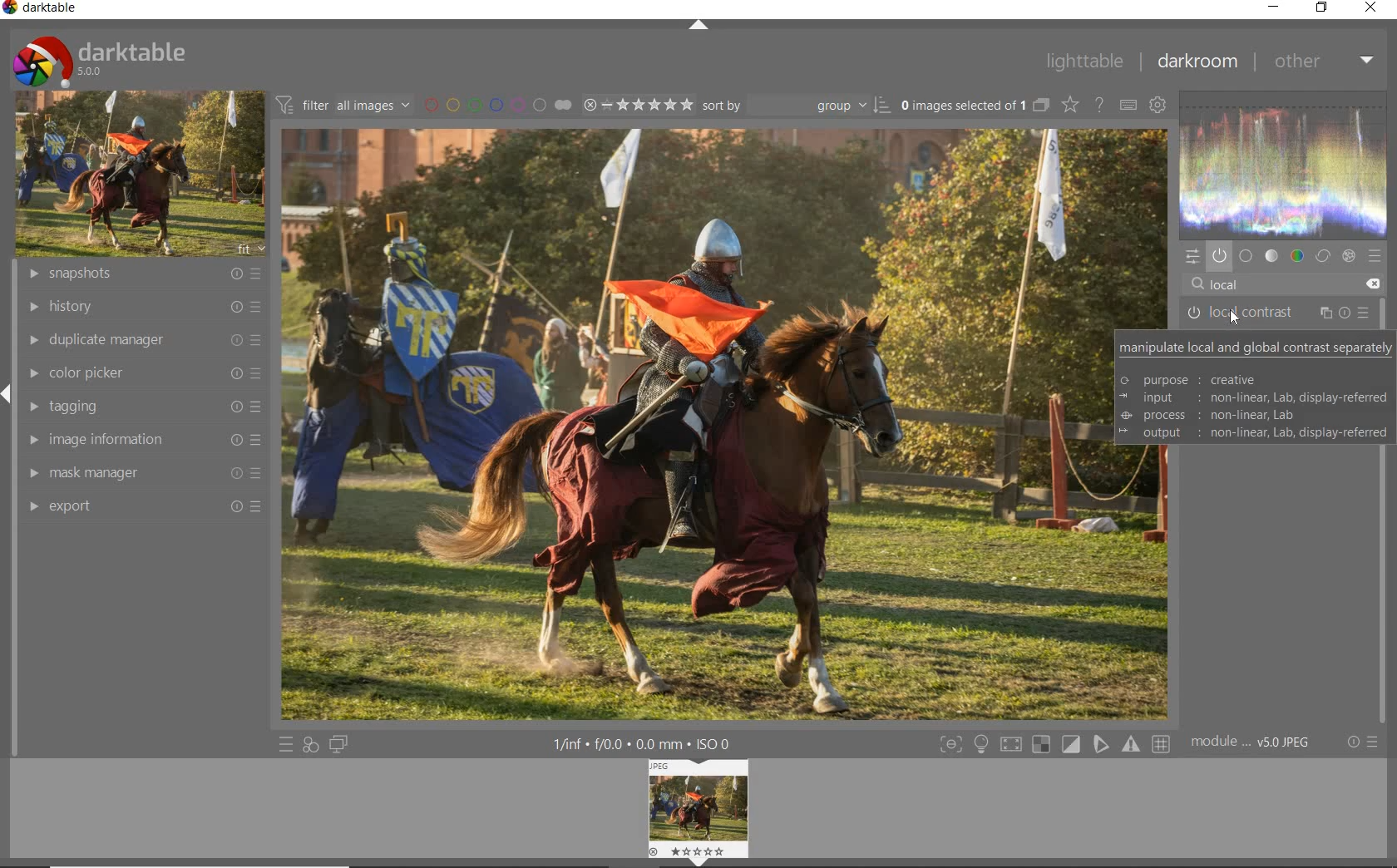  I want to click on presets, so click(1375, 257).